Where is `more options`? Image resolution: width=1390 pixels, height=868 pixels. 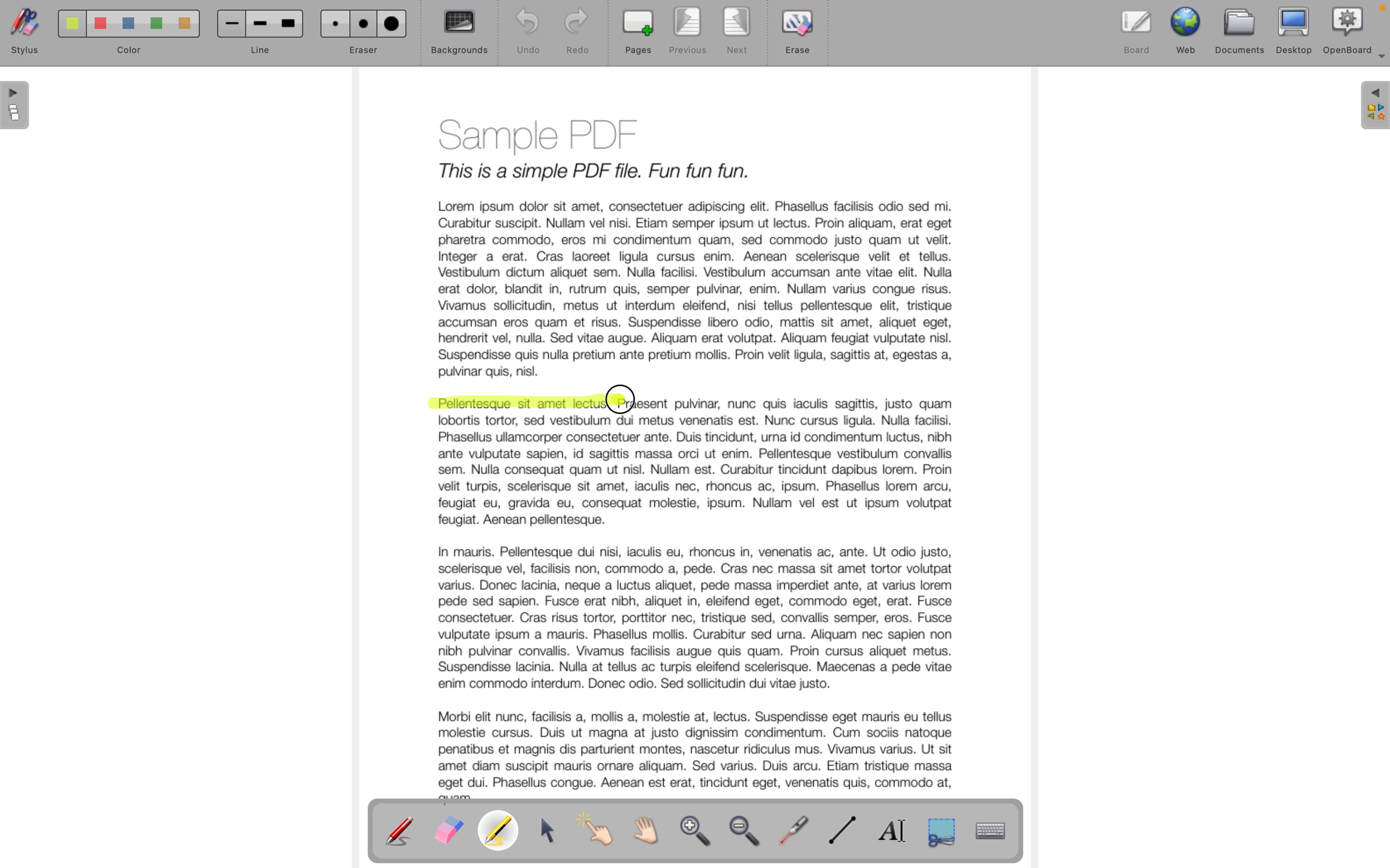 more options is located at coordinates (1379, 61).